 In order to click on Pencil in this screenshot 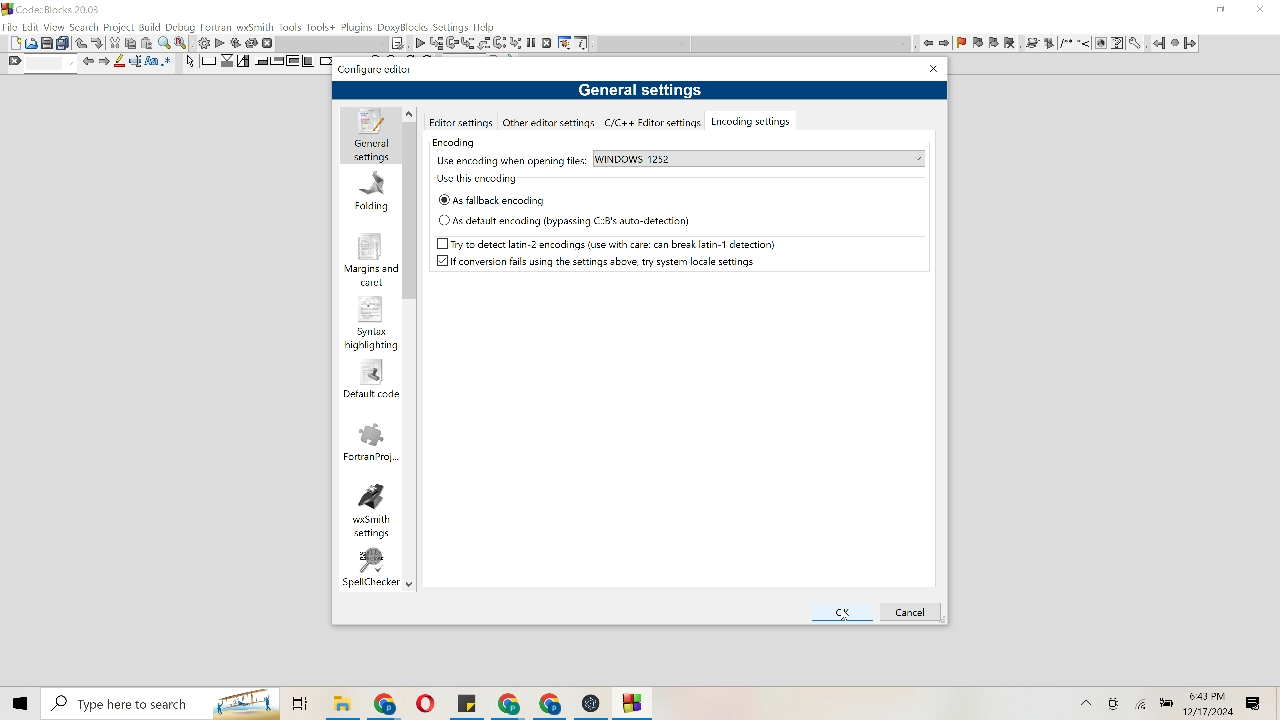, I will do `click(121, 61)`.